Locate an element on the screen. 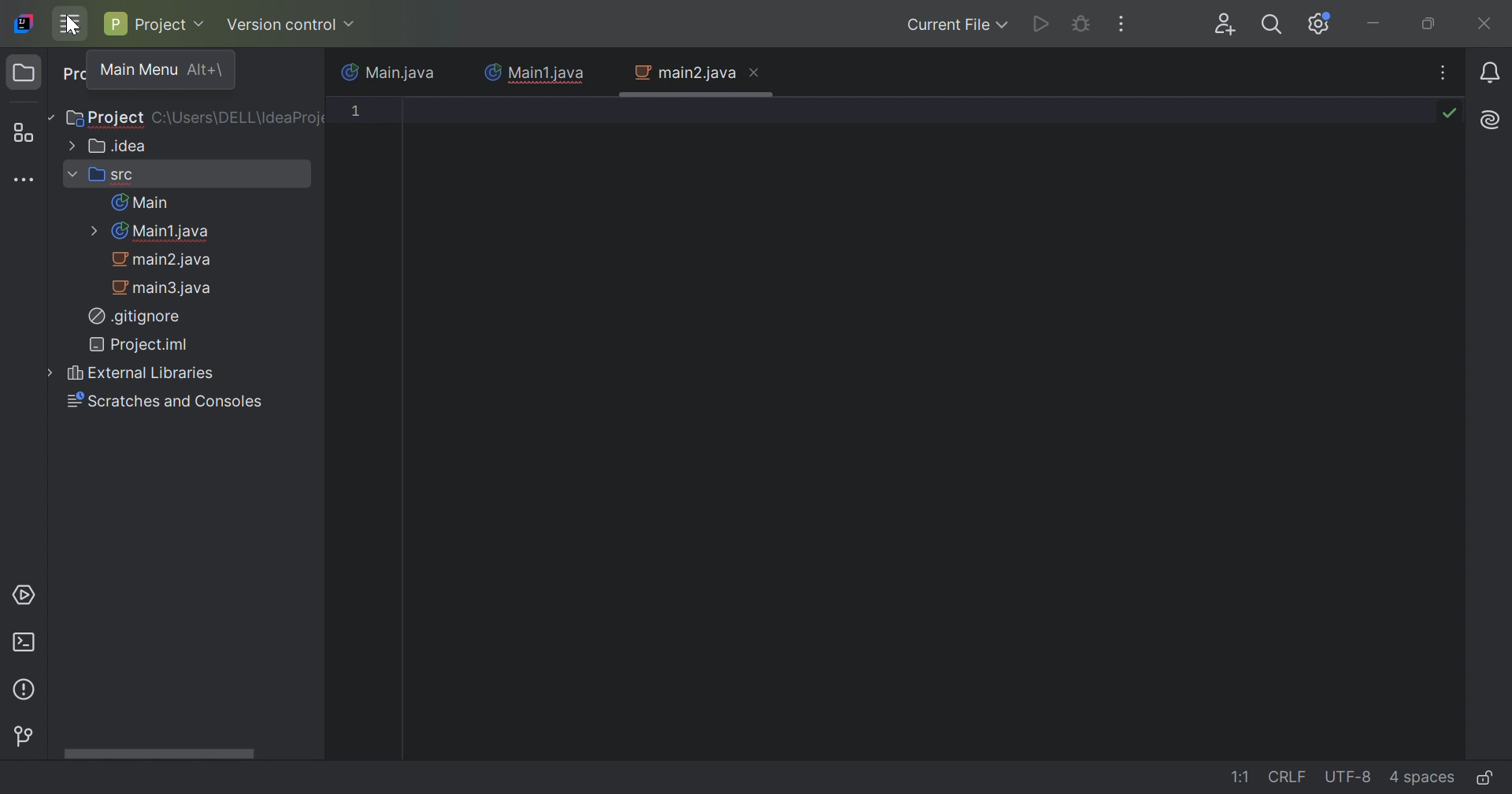  External Libraries is located at coordinates (132, 374).